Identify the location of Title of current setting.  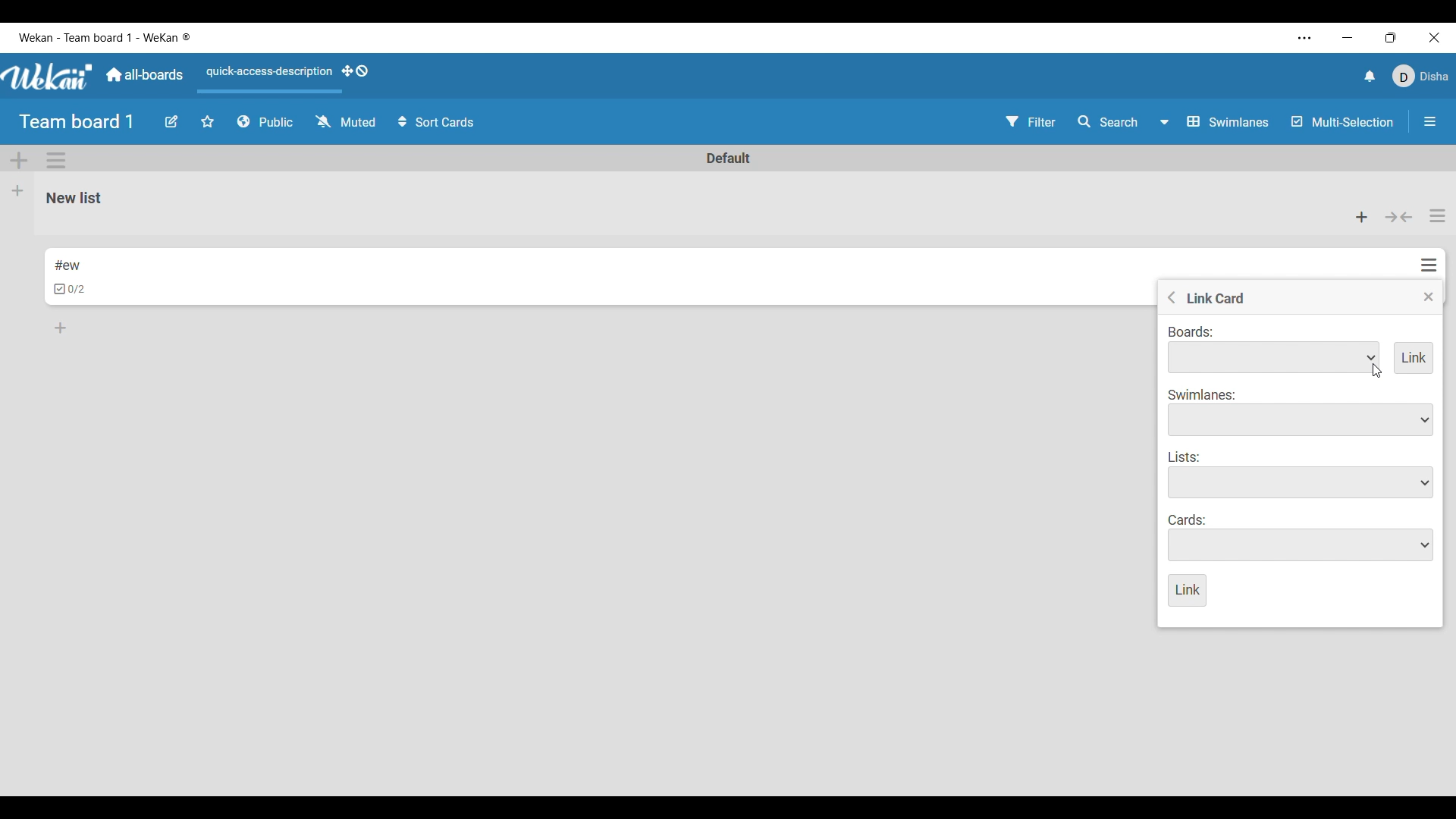
(1217, 297).